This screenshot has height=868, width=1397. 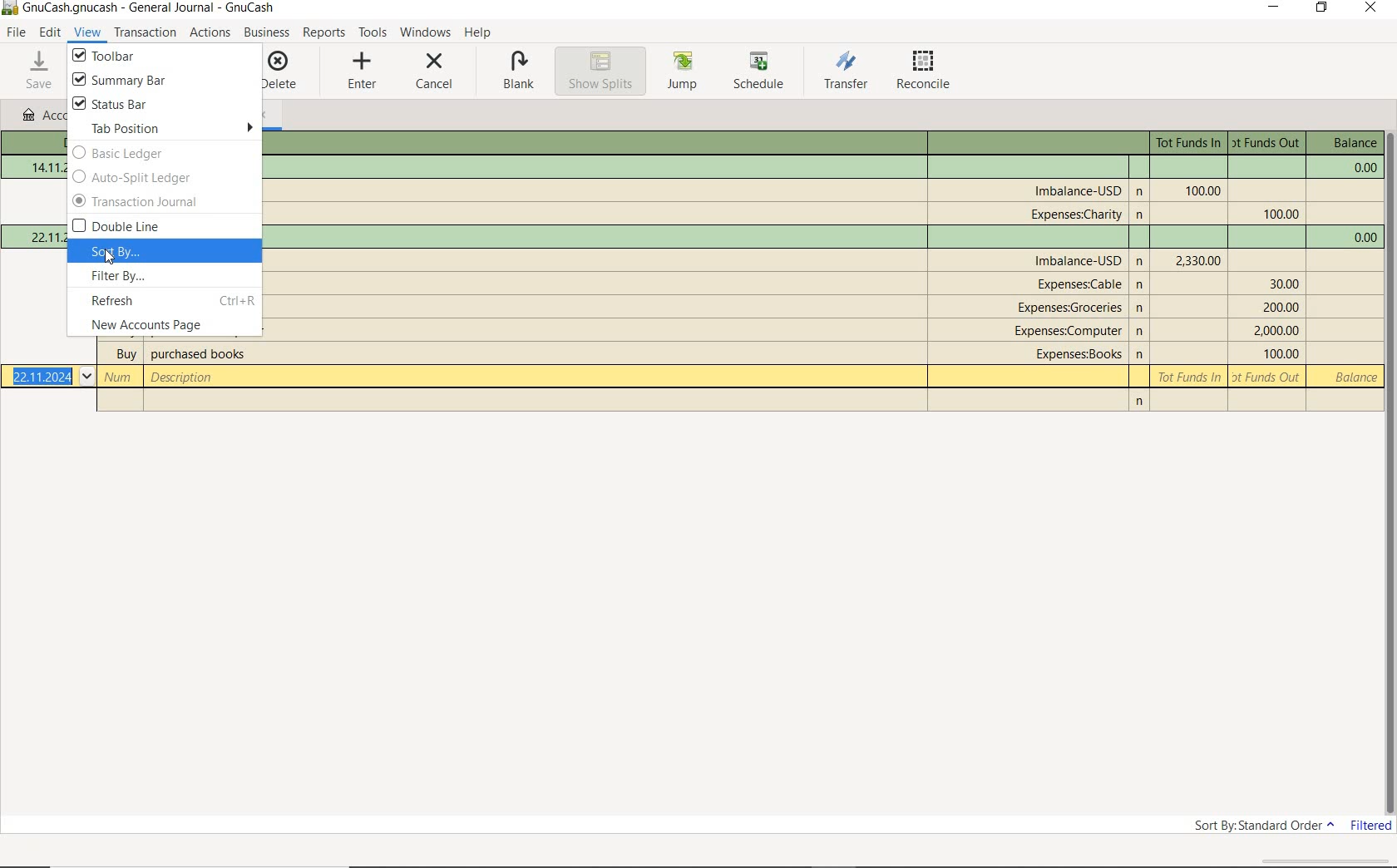 I want to click on account, so click(x=1072, y=308).